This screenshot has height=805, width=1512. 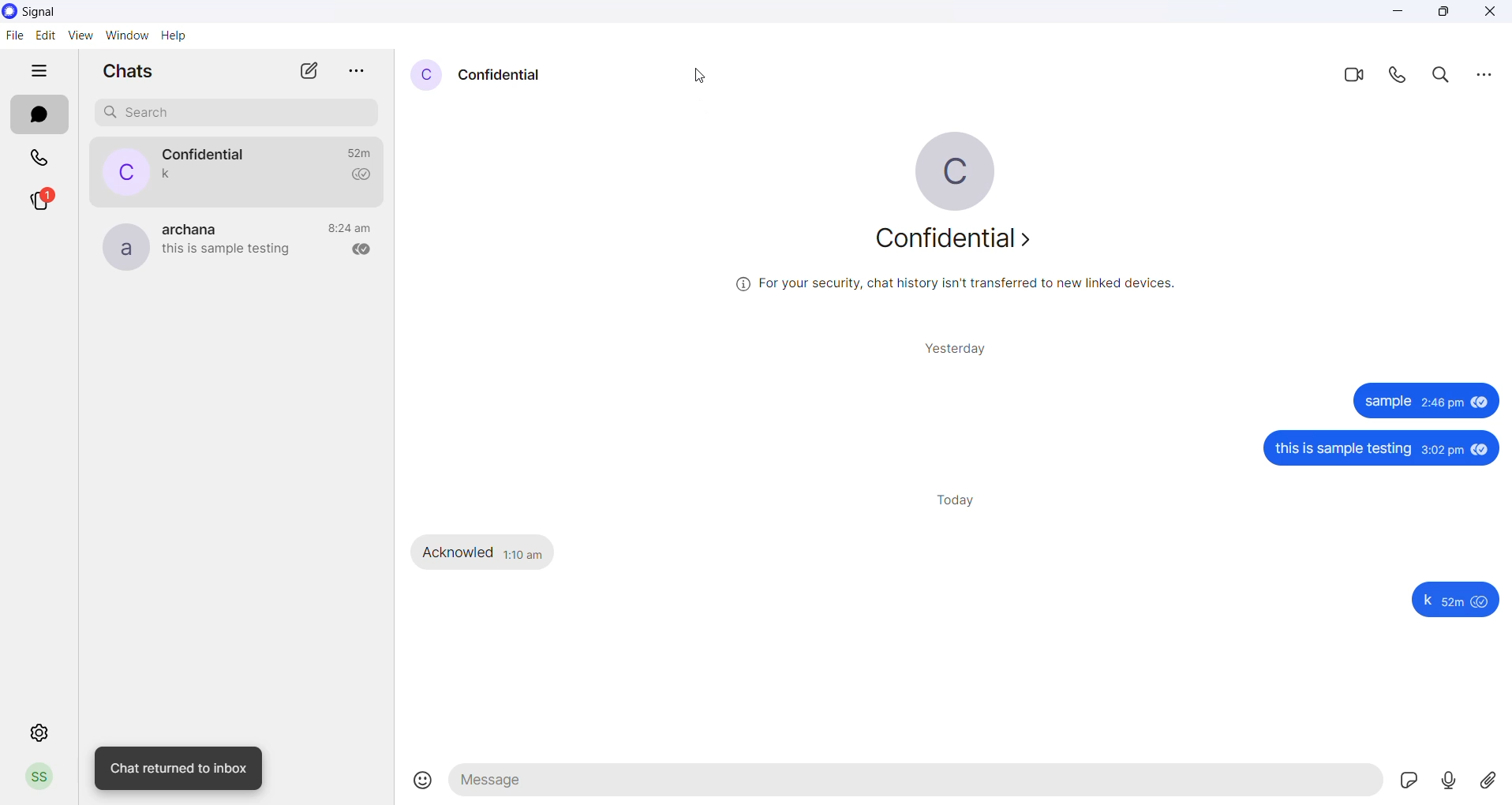 What do you see at coordinates (1494, 781) in the screenshot?
I see `share attachment` at bounding box center [1494, 781].